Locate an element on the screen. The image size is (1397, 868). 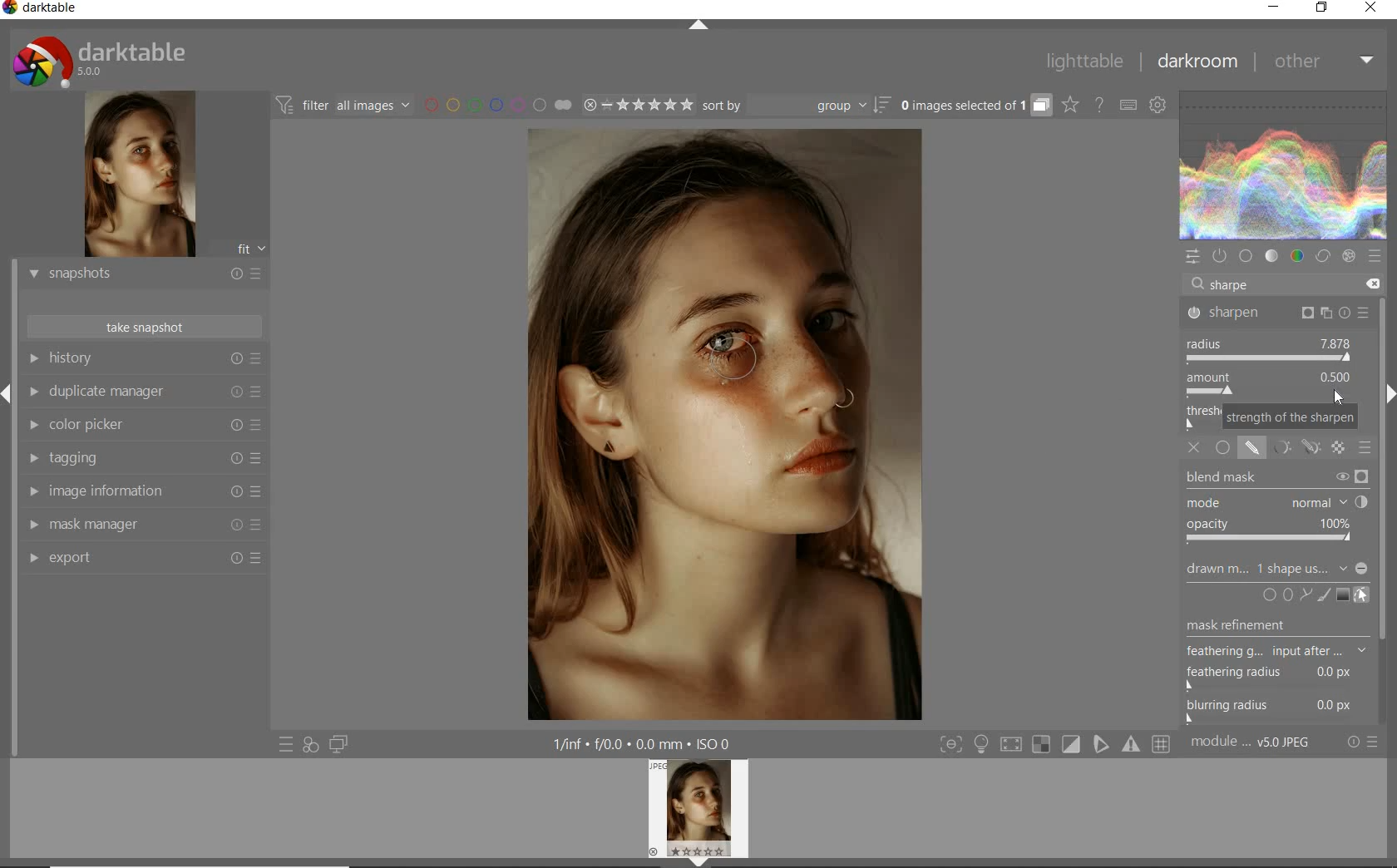
ADD CIRCLE, ELLIPSE, OR ADD PATH is located at coordinates (1286, 594).